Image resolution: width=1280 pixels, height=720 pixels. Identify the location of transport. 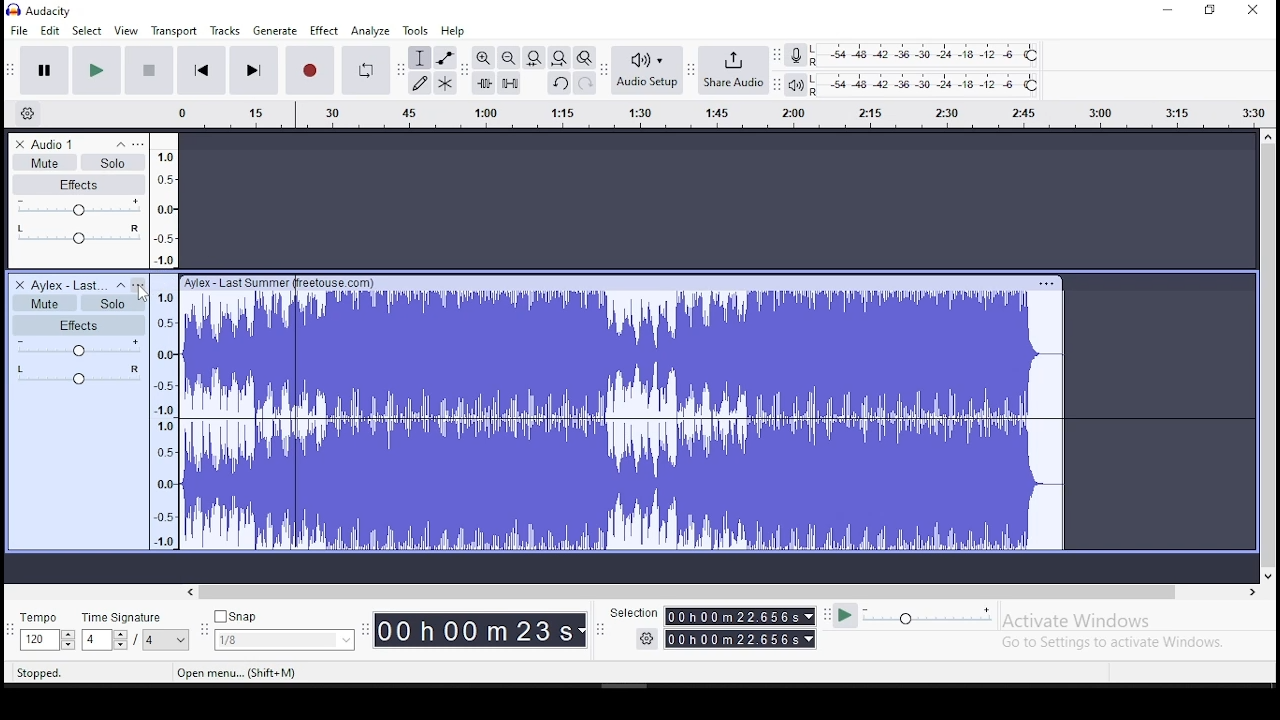
(174, 30).